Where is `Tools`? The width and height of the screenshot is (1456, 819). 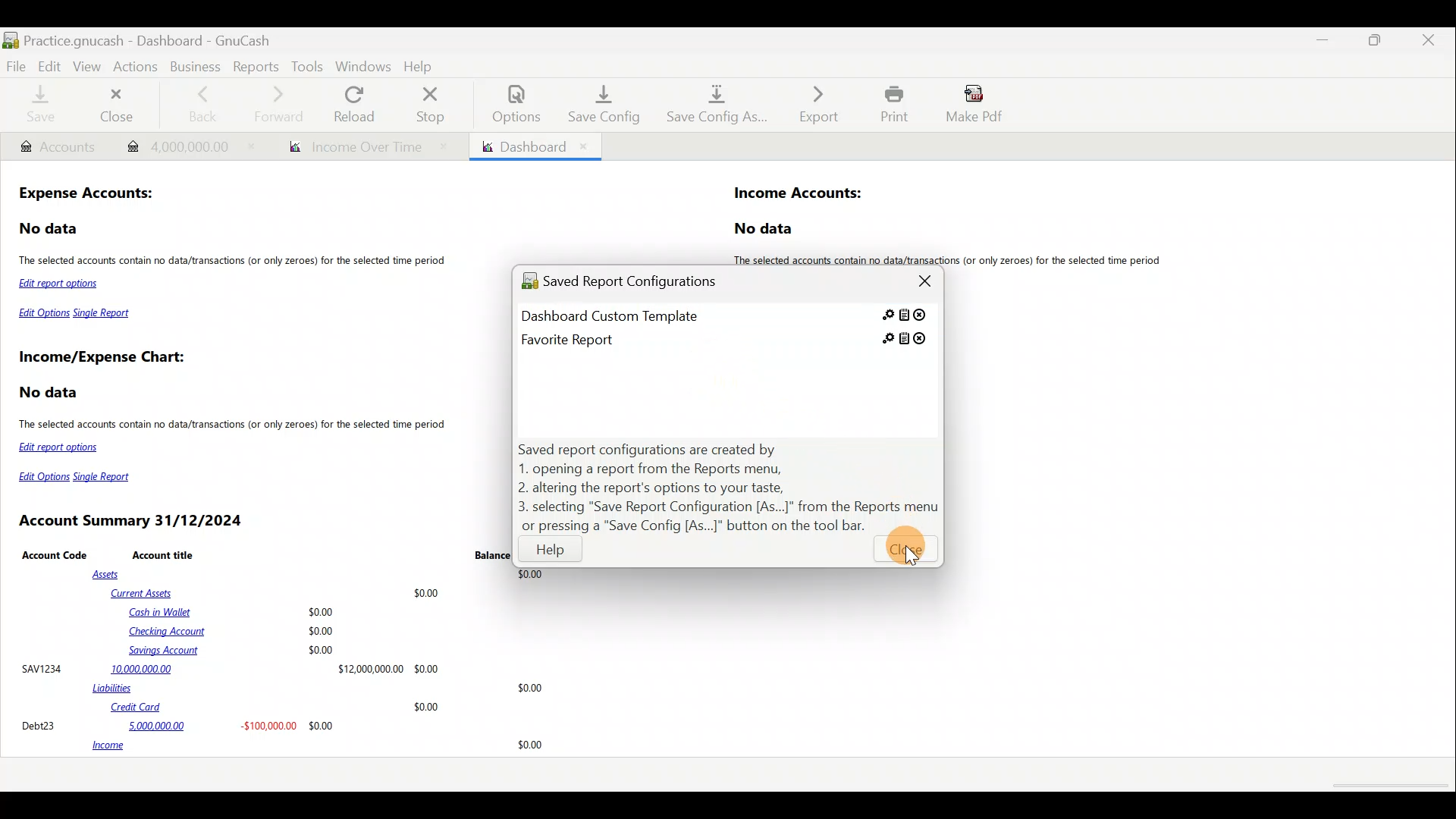
Tools is located at coordinates (307, 66).